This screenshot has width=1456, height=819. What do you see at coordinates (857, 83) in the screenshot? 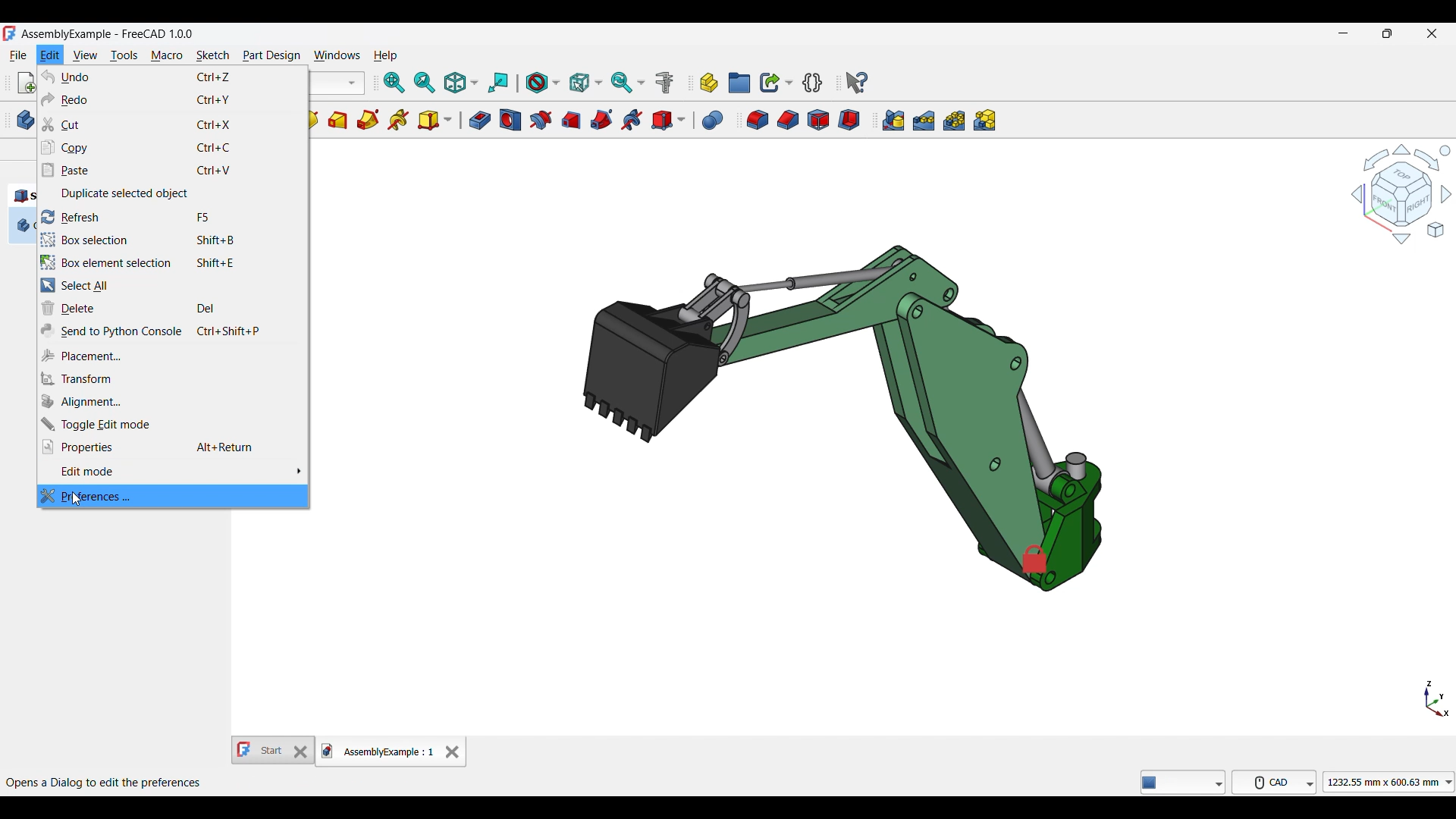
I see `Whats this?` at bounding box center [857, 83].